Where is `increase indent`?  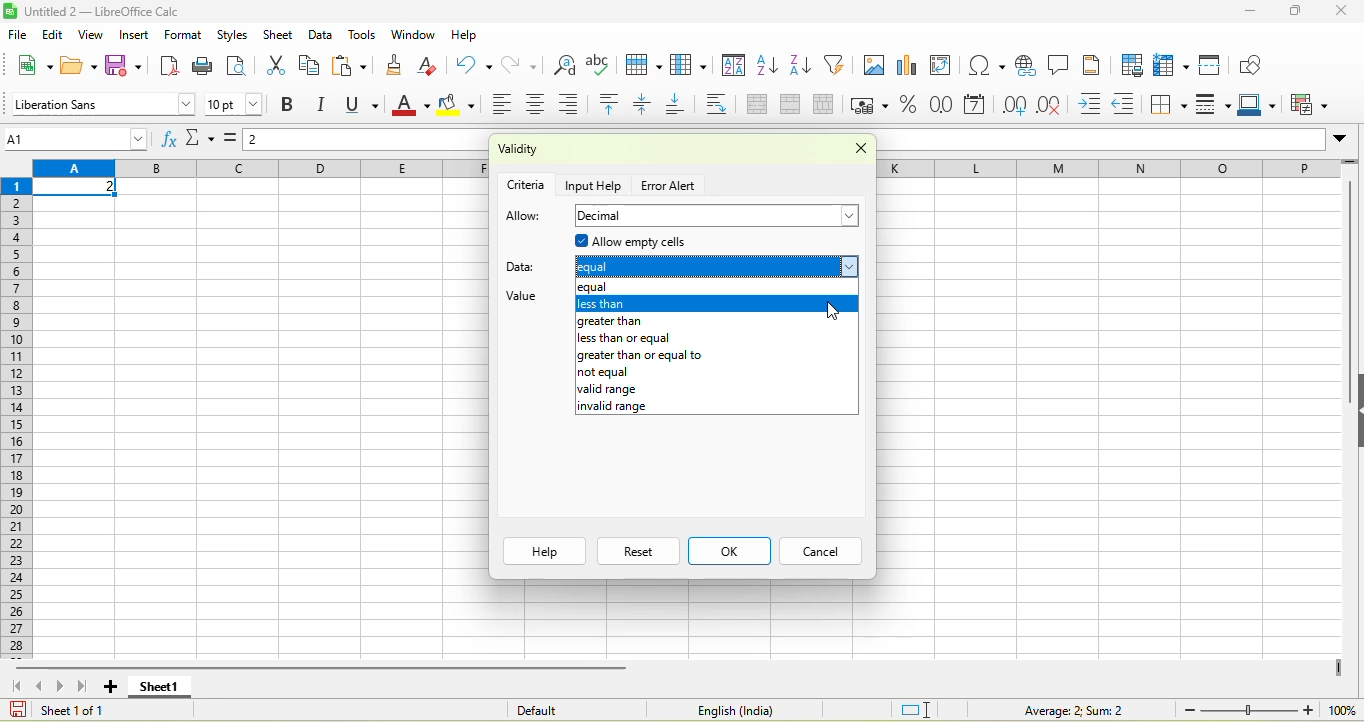
increase indent is located at coordinates (1094, 105).